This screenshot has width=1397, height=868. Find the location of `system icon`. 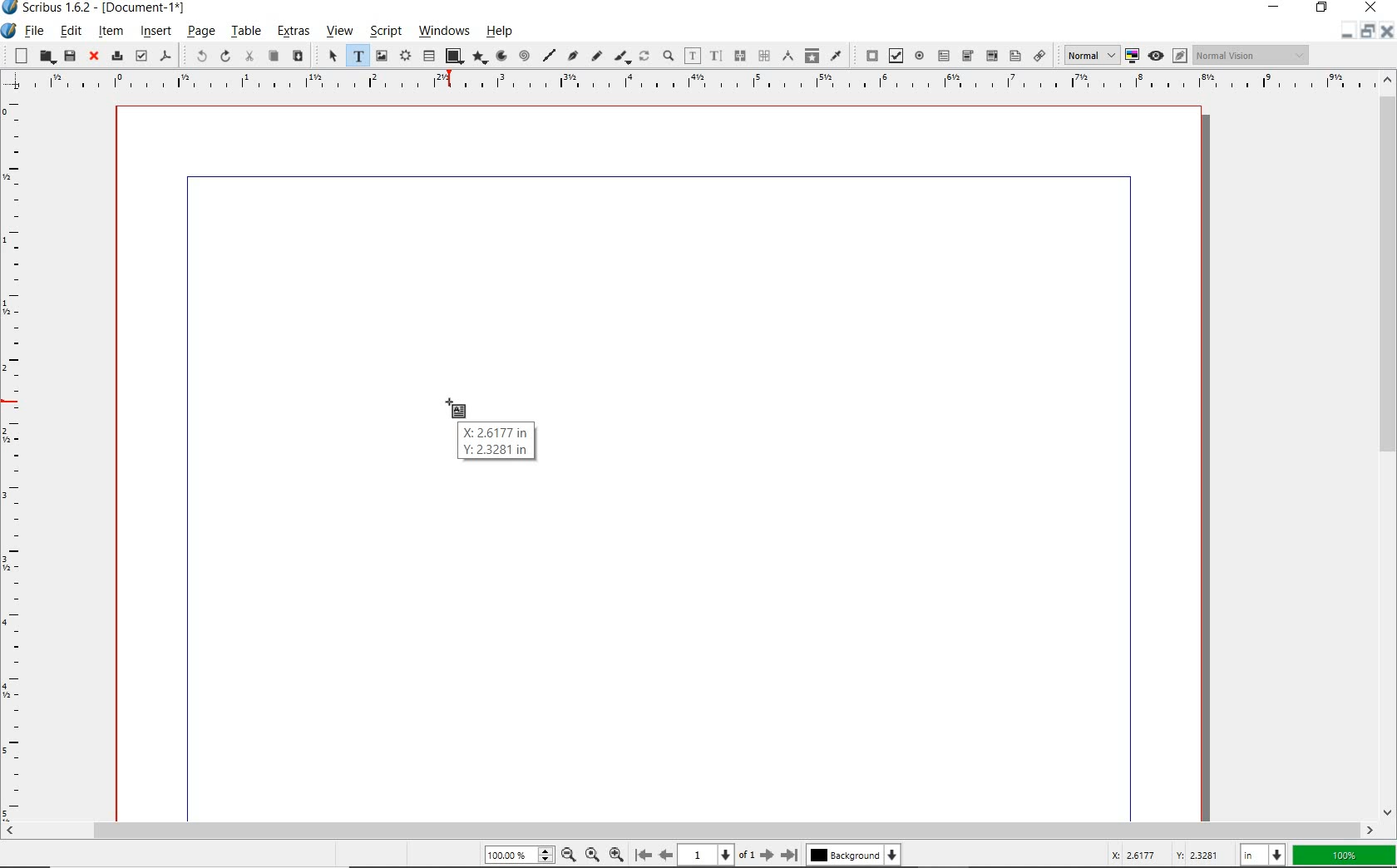

system icon is located at coordinates (7, 31).